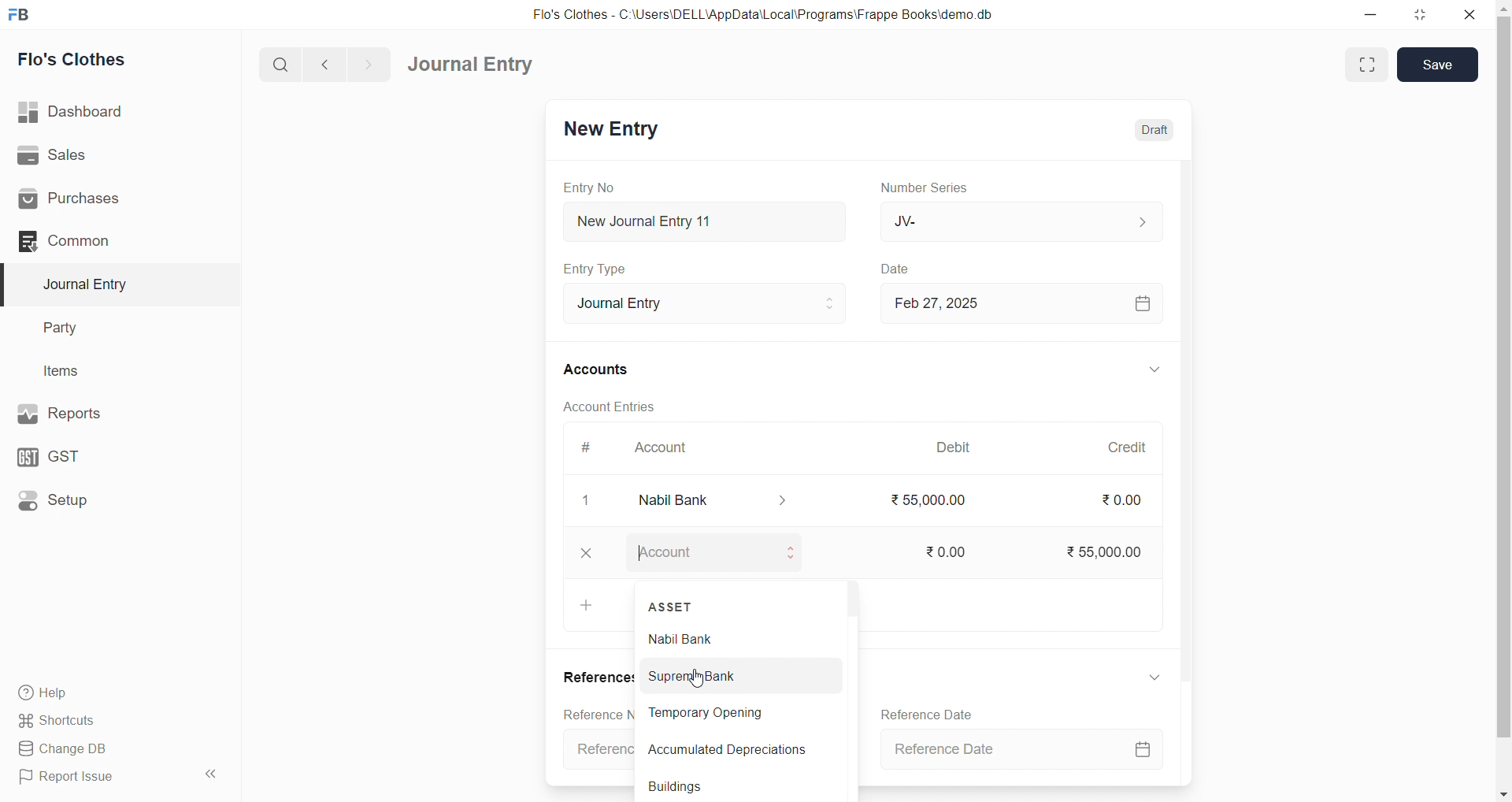 The height and width of the screenshot is (802, 1512). I want to click on Journal Entry, so click(471, 64).